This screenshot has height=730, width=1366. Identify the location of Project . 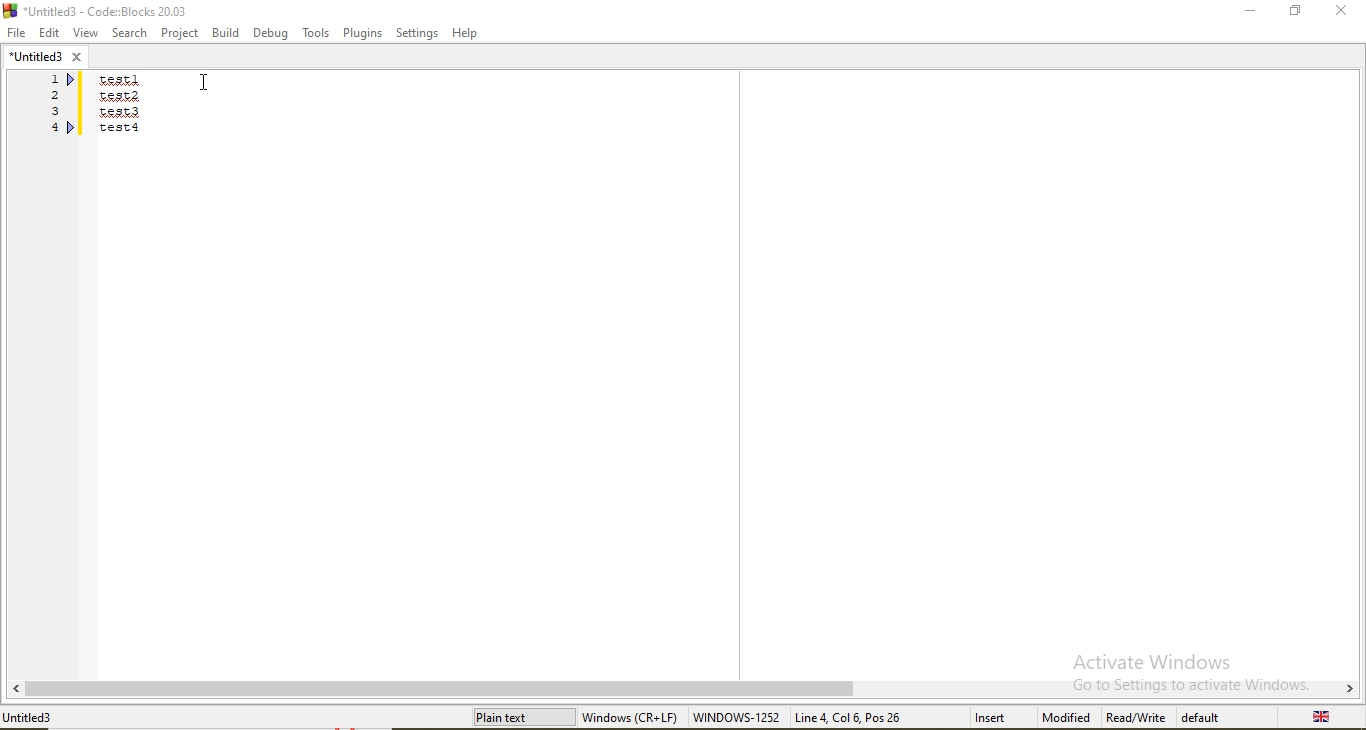
(181, 32).